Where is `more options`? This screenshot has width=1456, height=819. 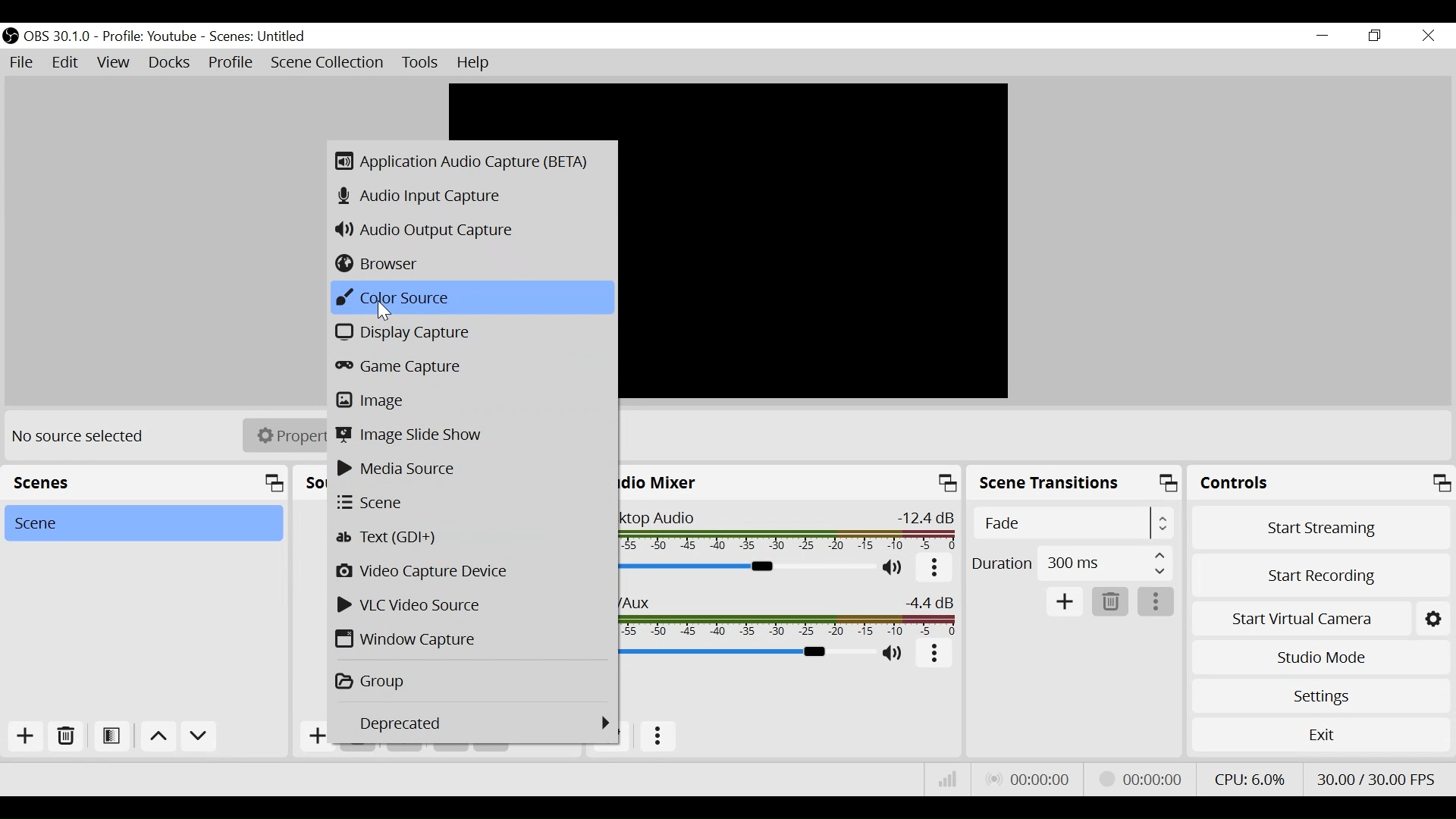
more options is located at coordinates (936, 569).